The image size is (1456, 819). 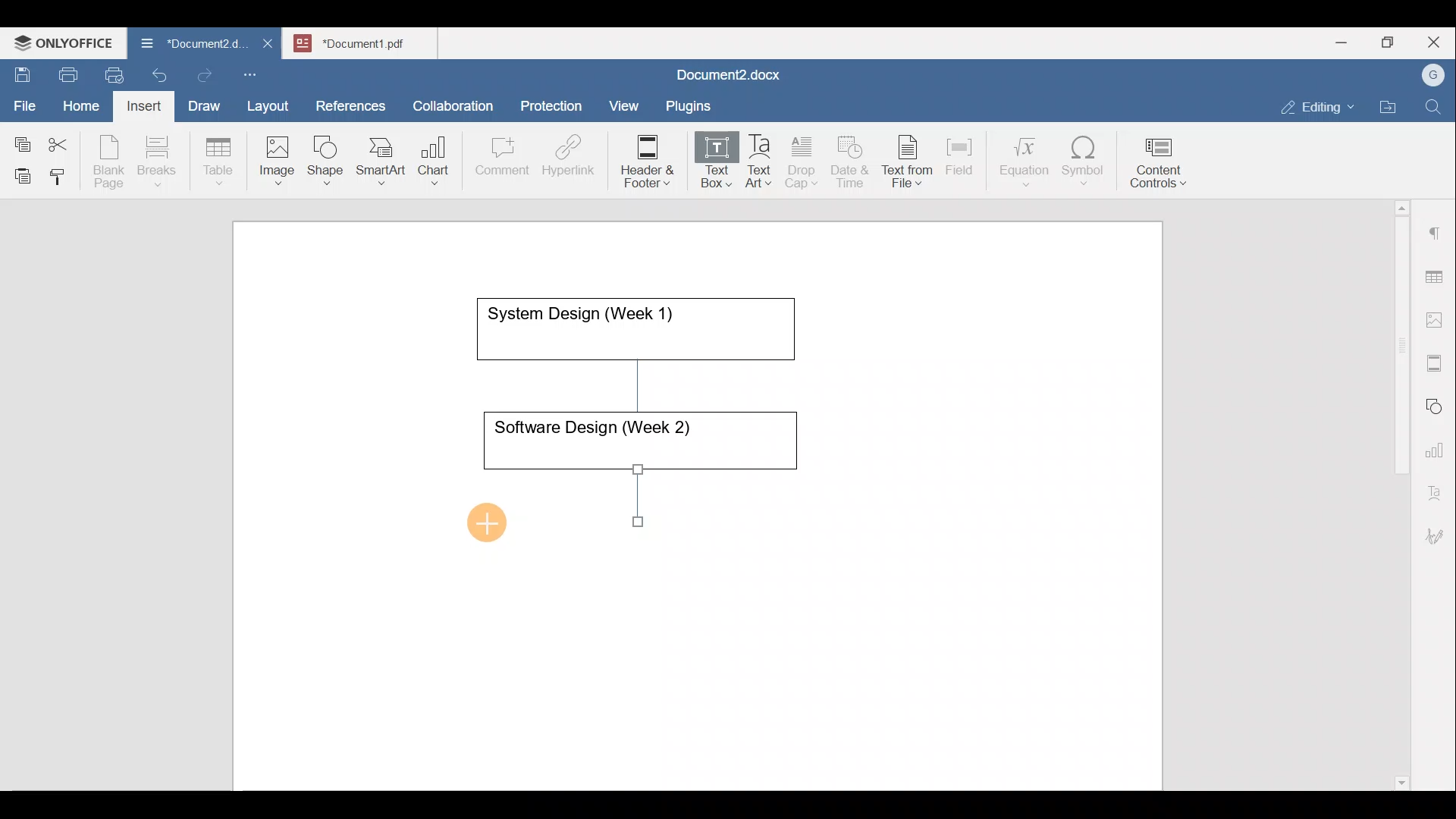 I want to click on Customize quick access toolbar, so click(x=256, y=72).